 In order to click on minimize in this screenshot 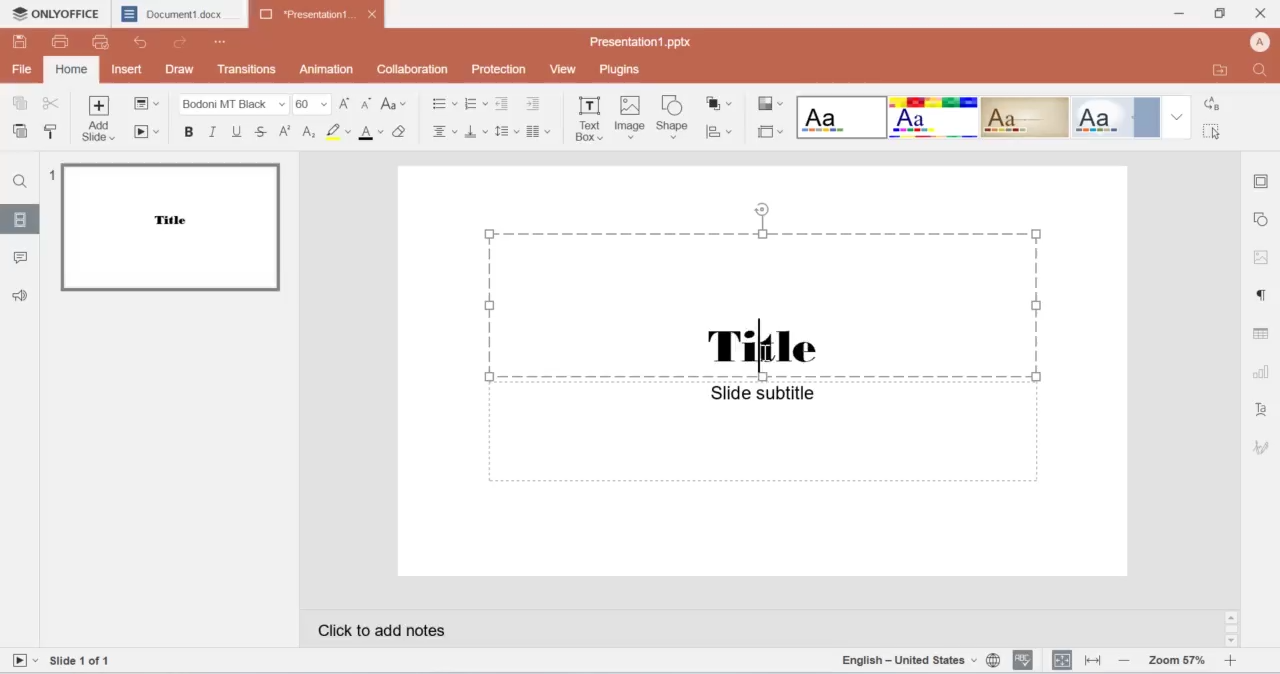, I will do `click(1180, 14)`.